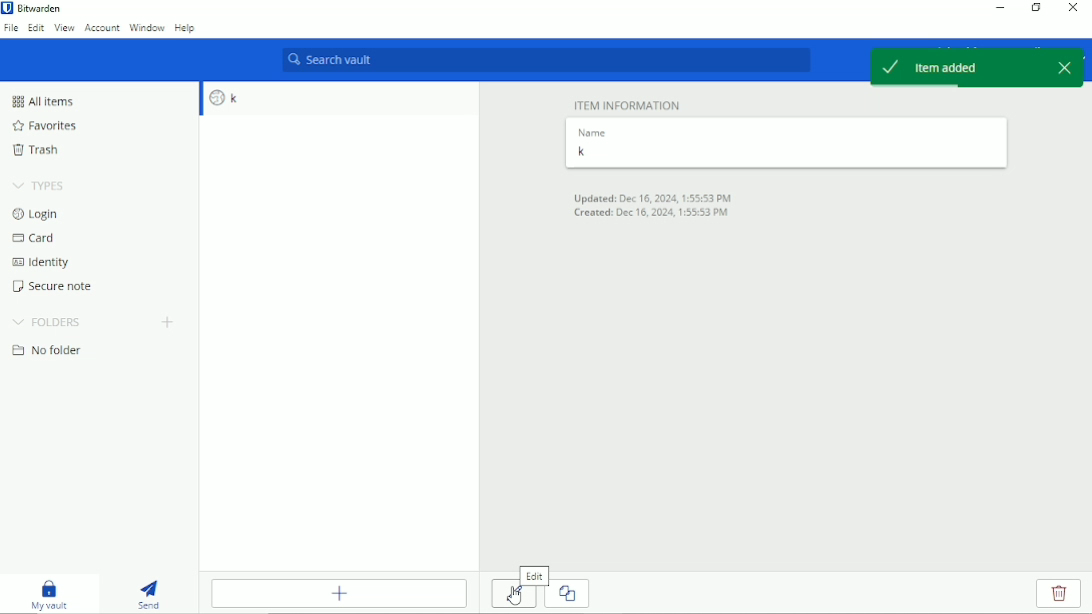  I want to click on My vault, so click(49, 594).